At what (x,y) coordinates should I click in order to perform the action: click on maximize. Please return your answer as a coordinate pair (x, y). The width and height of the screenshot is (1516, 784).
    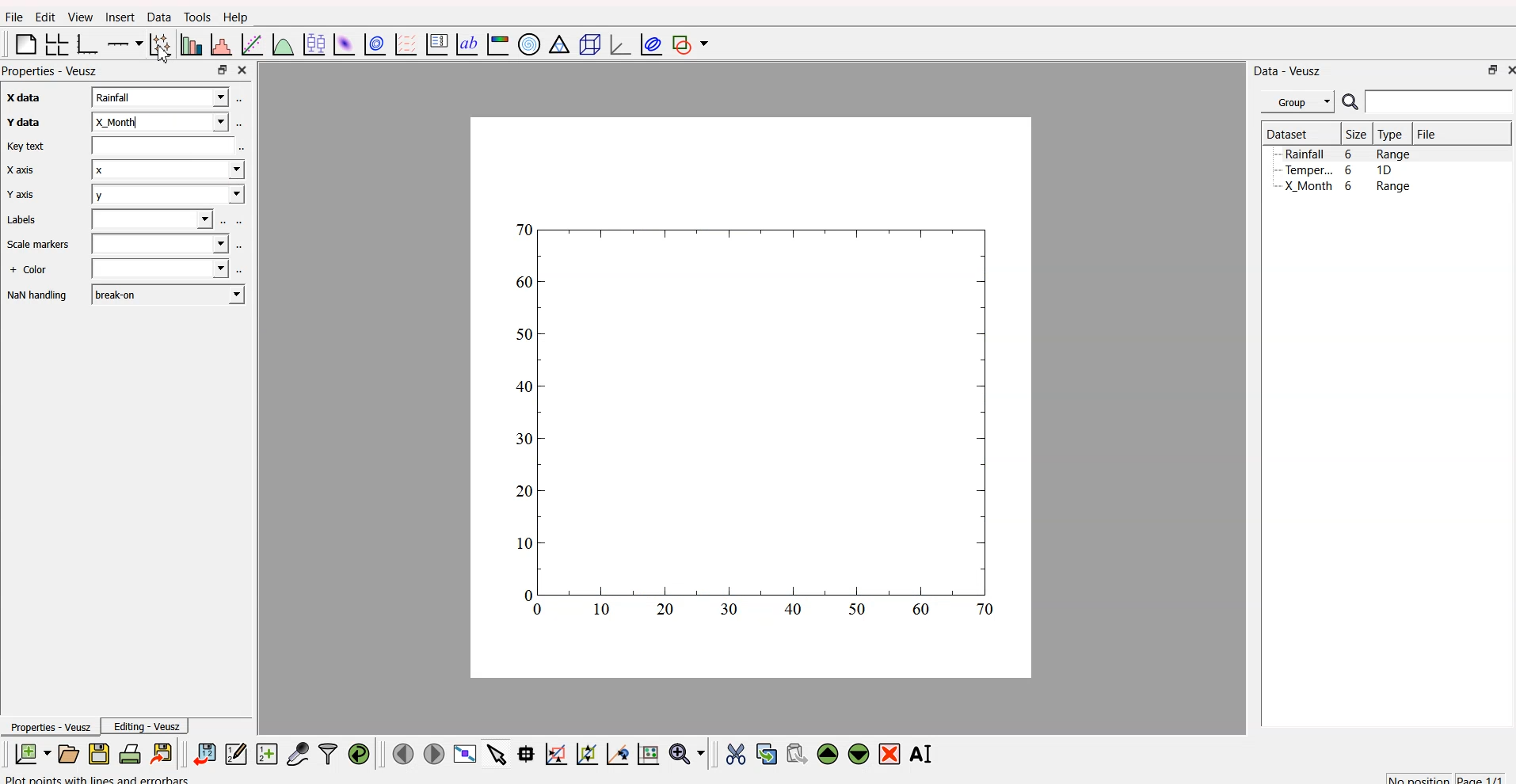
    Looking at the image, I should click on (221, 70).